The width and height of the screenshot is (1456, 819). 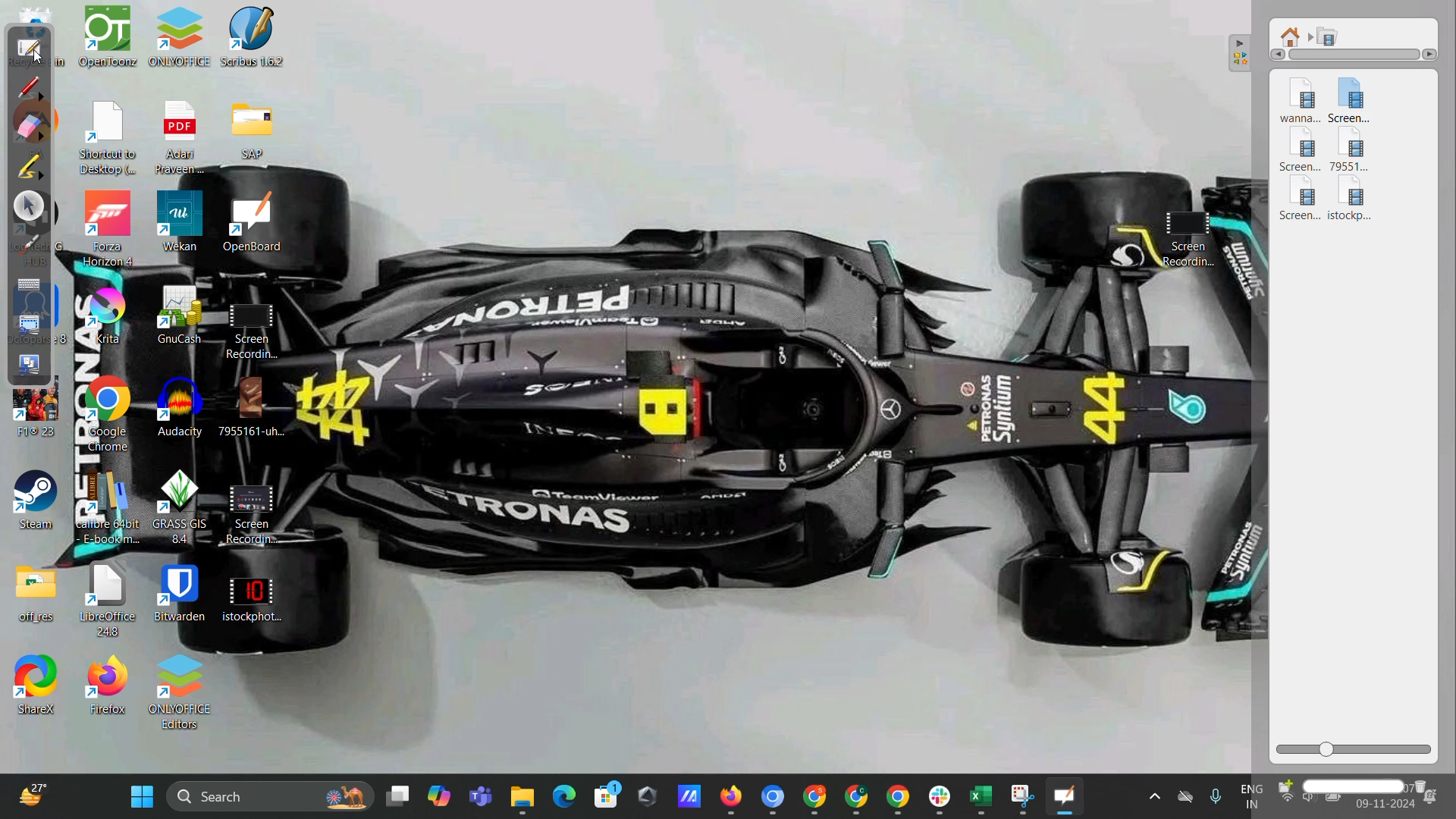 I want to click on capture screen, so click(x=29, y=366).